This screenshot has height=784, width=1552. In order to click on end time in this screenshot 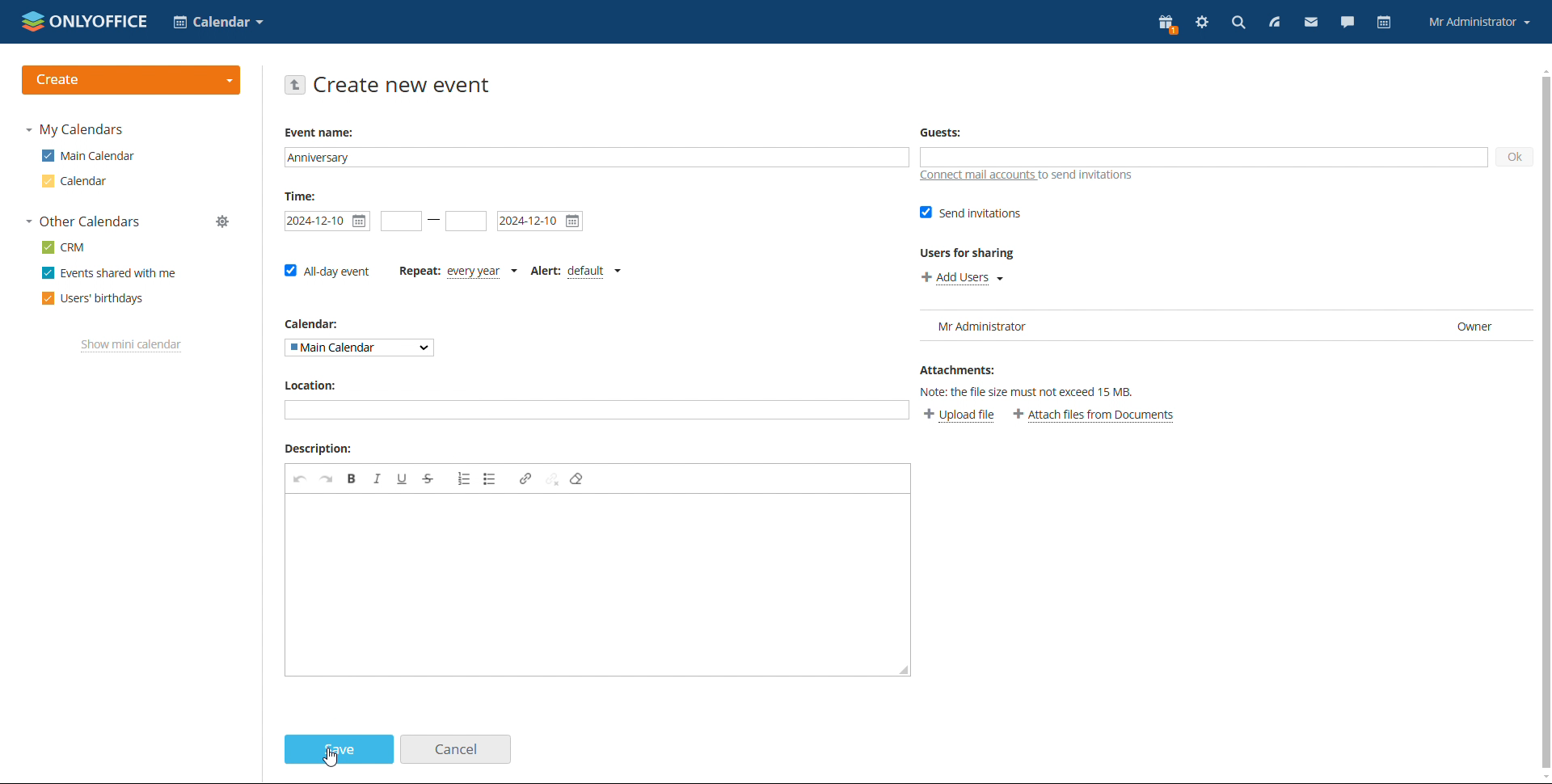, I will do `click(466, 221)`.